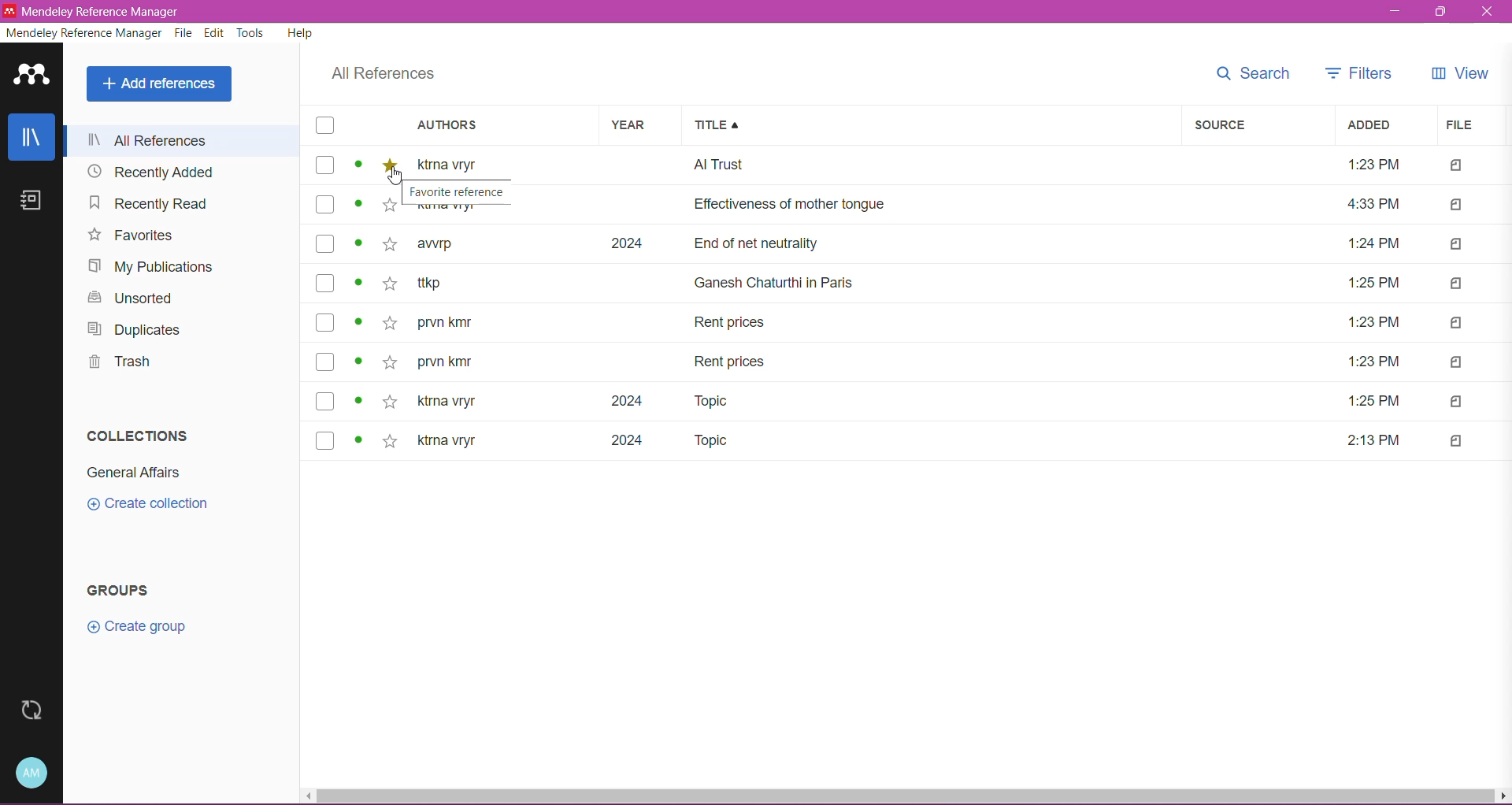 The height and width of the screenshot is (805, 1512). What do you see at coordinates (391, 402) in the screenshot?
I see `Add to favorite` at bounding box center [391, 402].